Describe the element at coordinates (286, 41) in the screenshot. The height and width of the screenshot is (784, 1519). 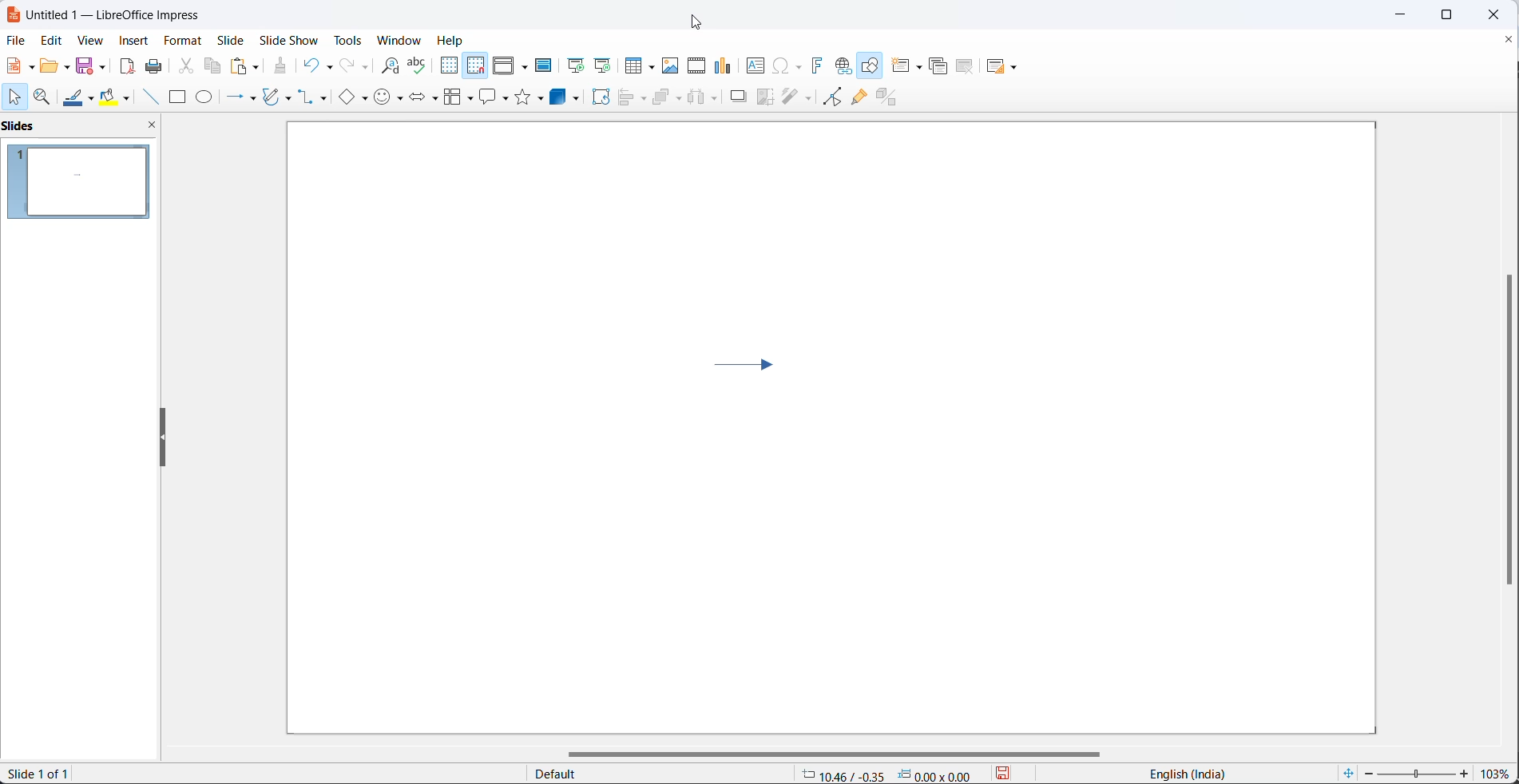
I see `slide show` at that location.